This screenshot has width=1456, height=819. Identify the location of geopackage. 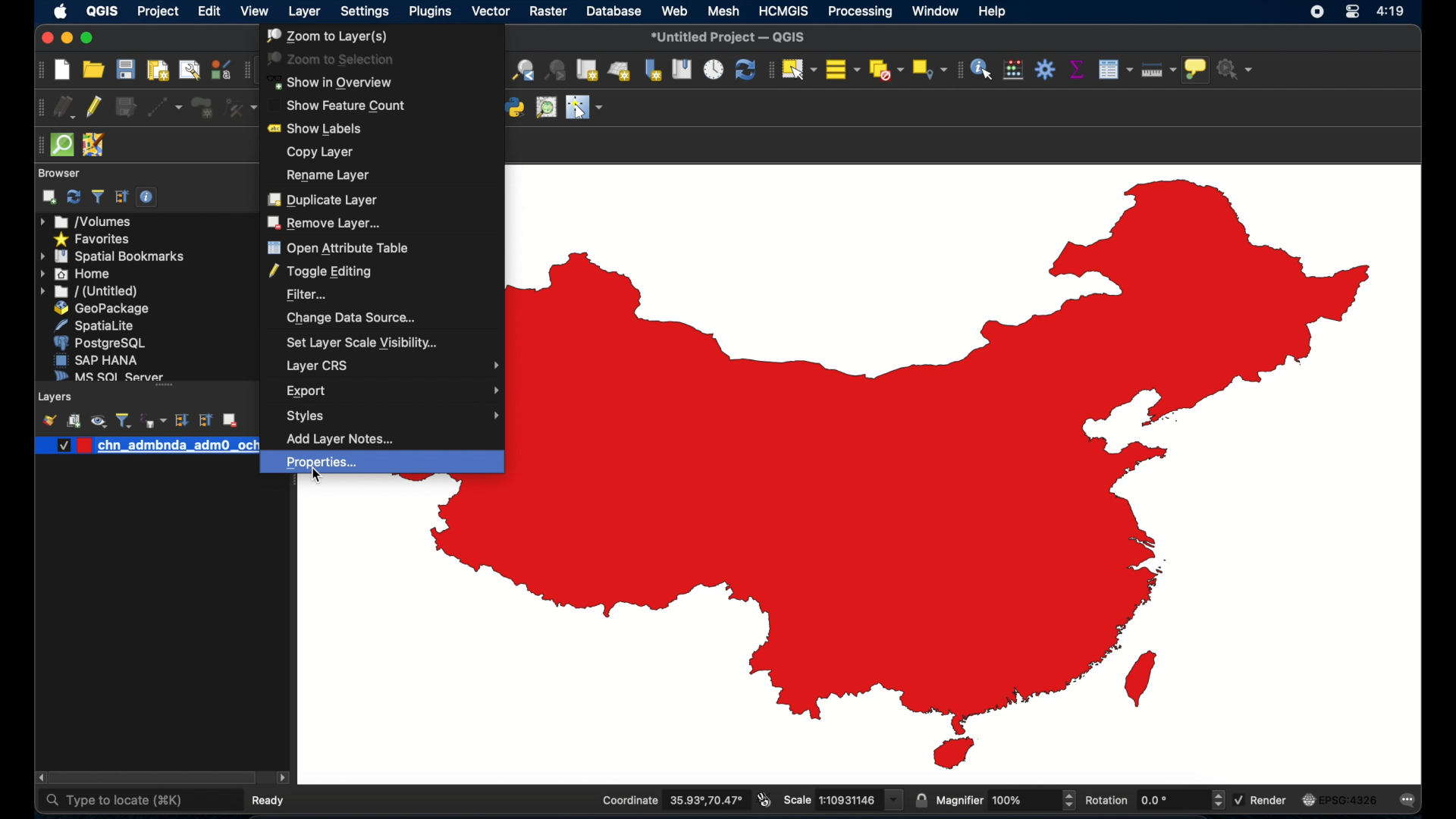
(102, 309).